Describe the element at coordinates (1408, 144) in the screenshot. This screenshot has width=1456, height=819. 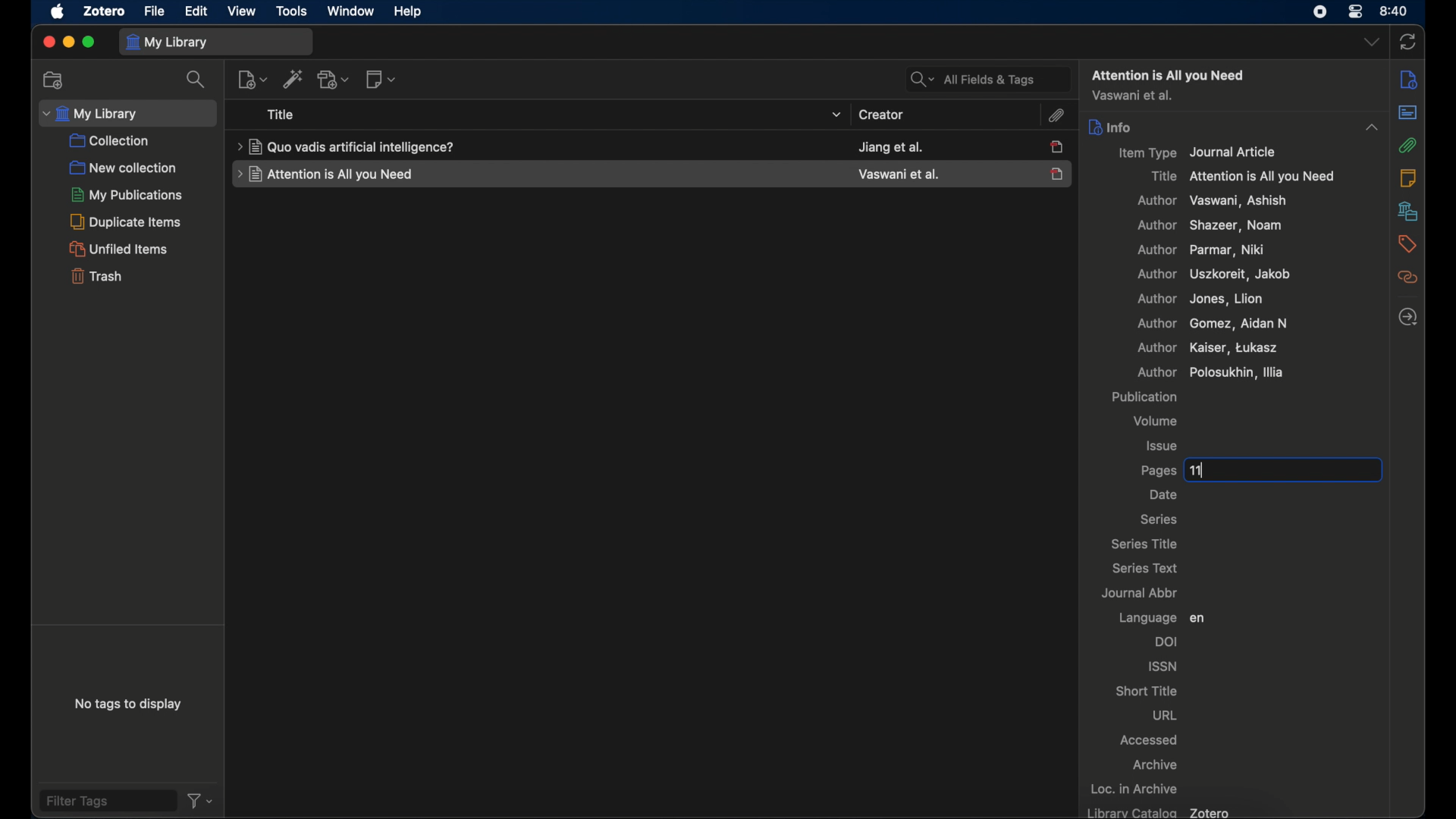
I see `attachment` at that location.